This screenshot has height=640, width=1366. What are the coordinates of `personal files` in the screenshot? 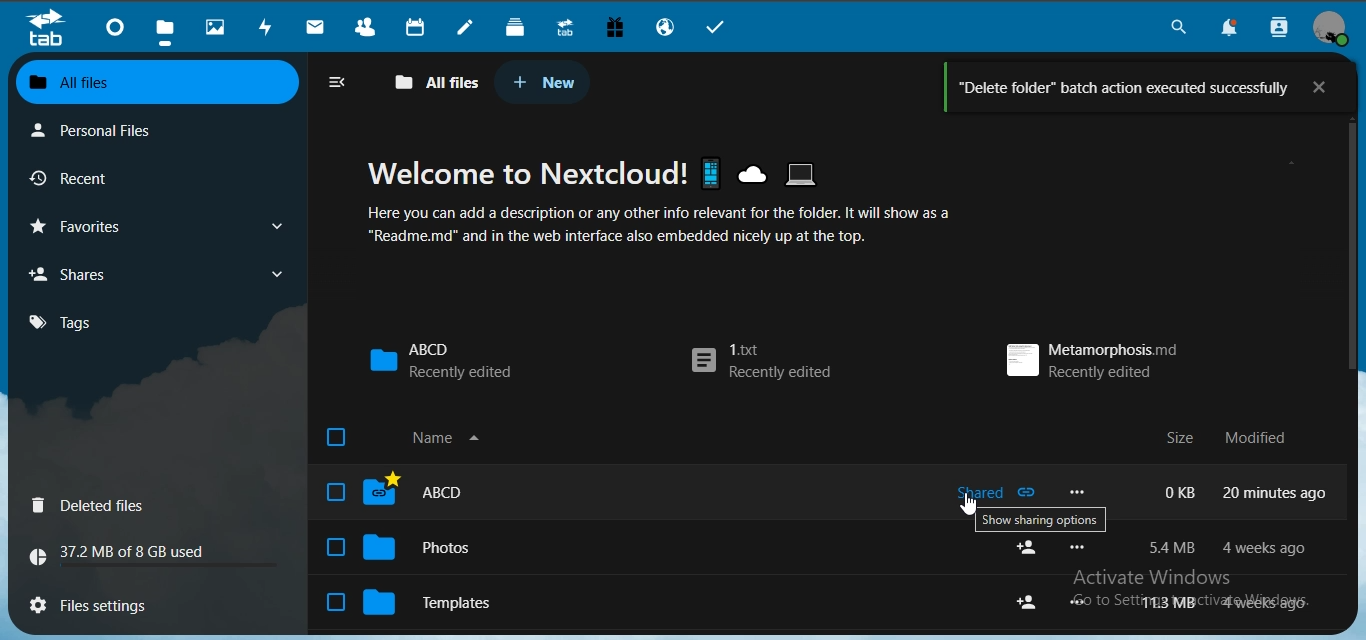 It's located at (130, 128).